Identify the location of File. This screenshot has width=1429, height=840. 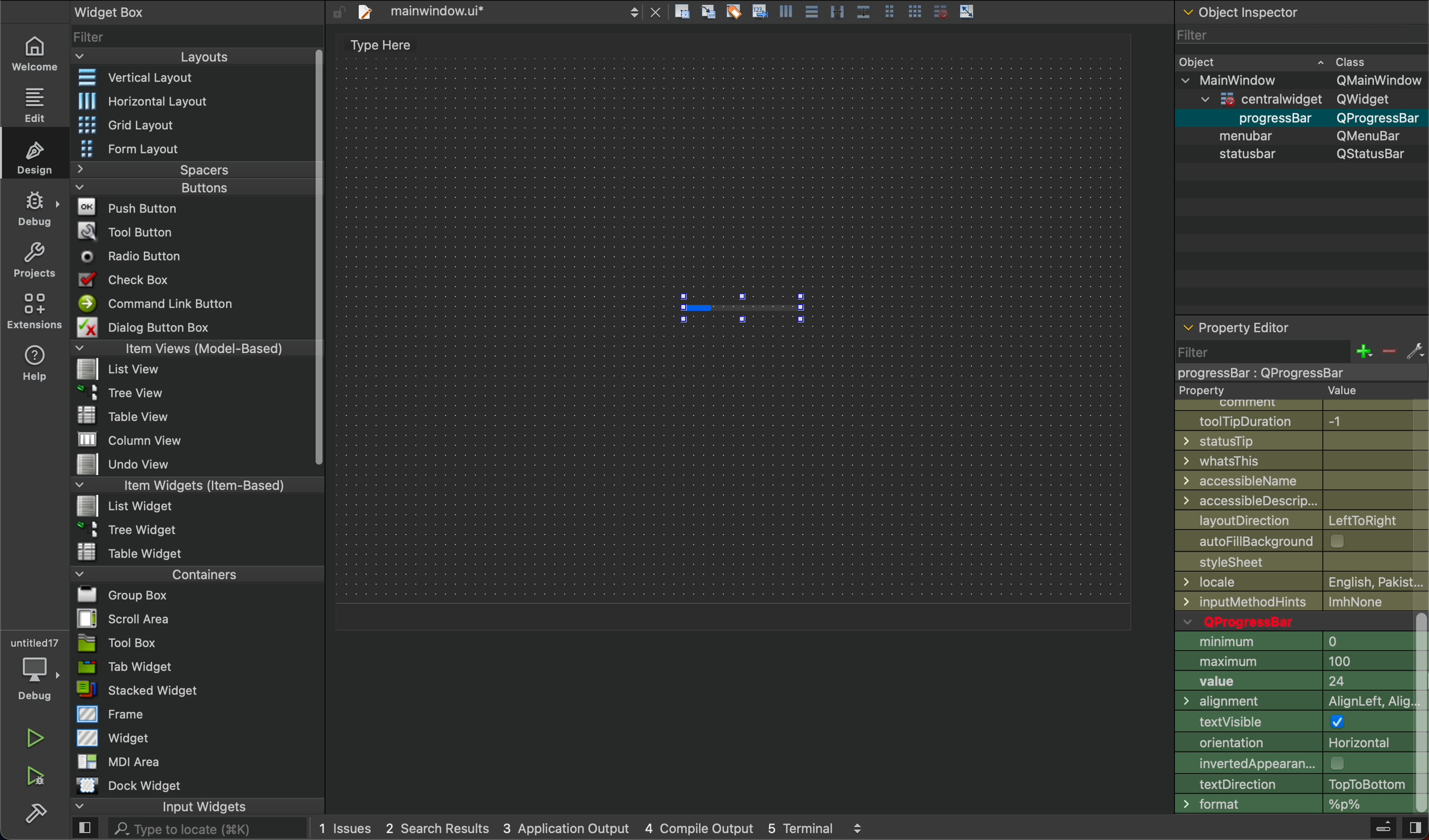
(123, 370).